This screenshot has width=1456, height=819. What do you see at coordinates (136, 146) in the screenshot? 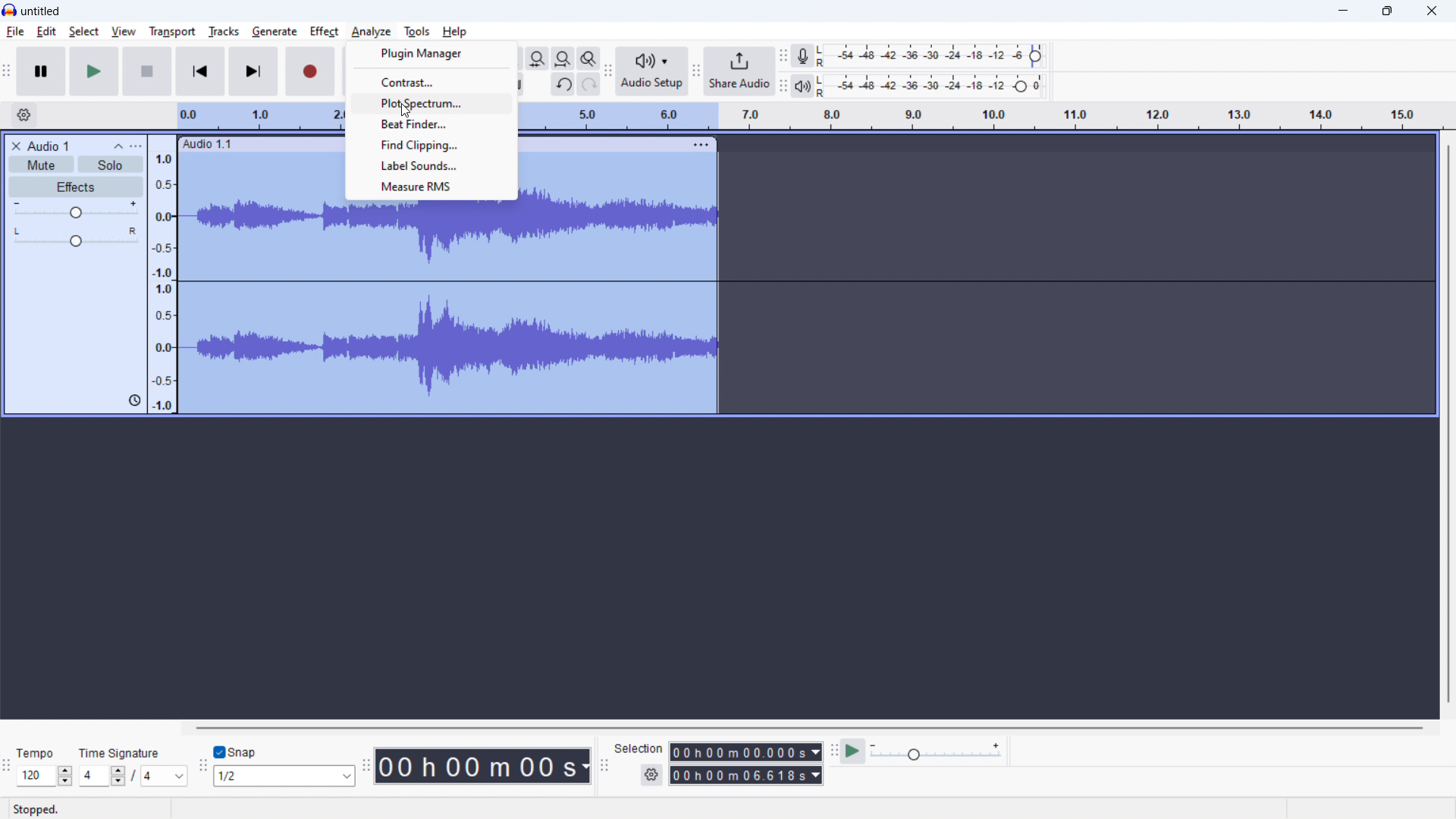
I see `track control panel menu` at bounding box center [136, 146].